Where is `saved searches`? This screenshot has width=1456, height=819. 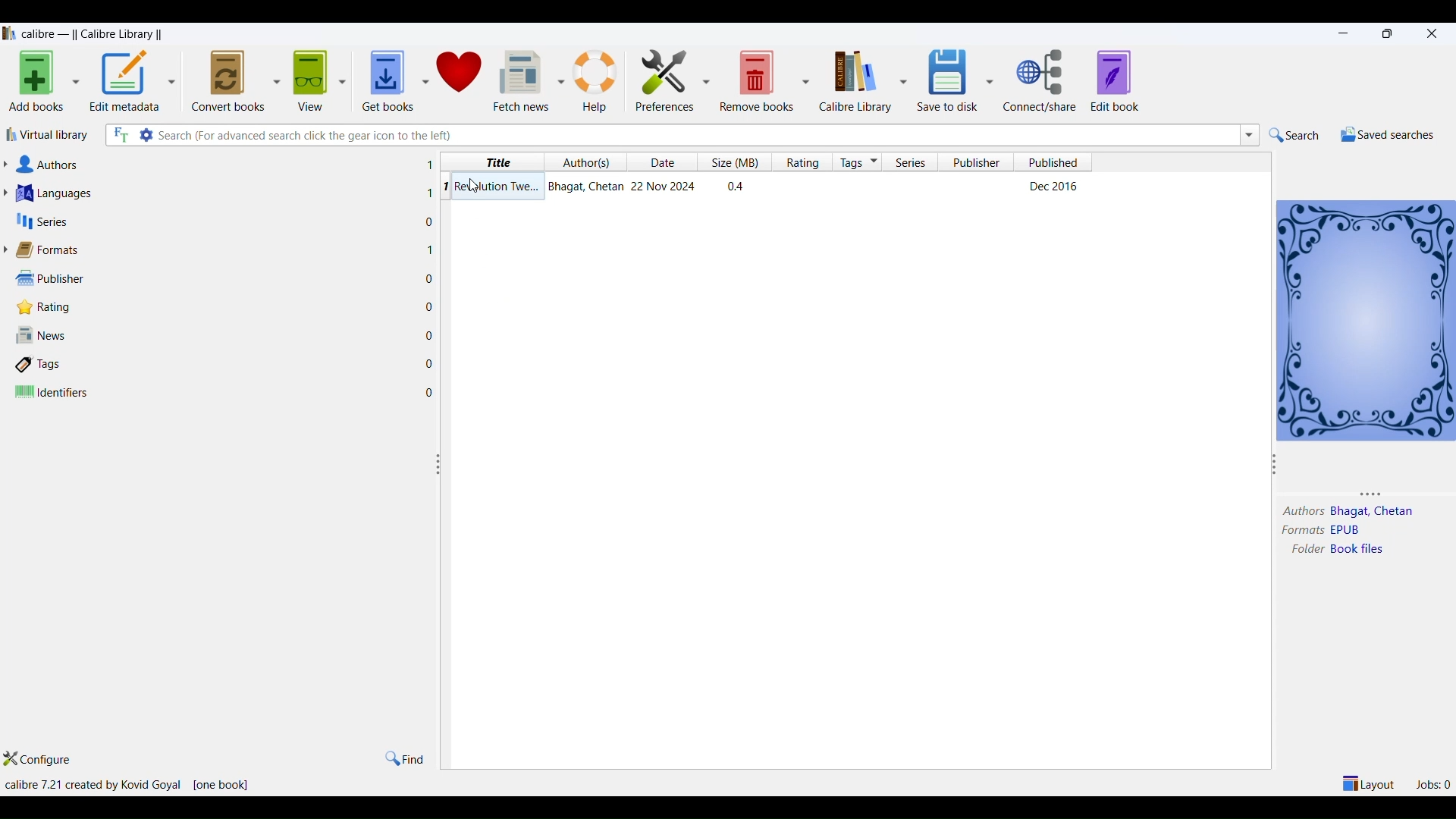 saved searches is located at coordinates (1384, 133).